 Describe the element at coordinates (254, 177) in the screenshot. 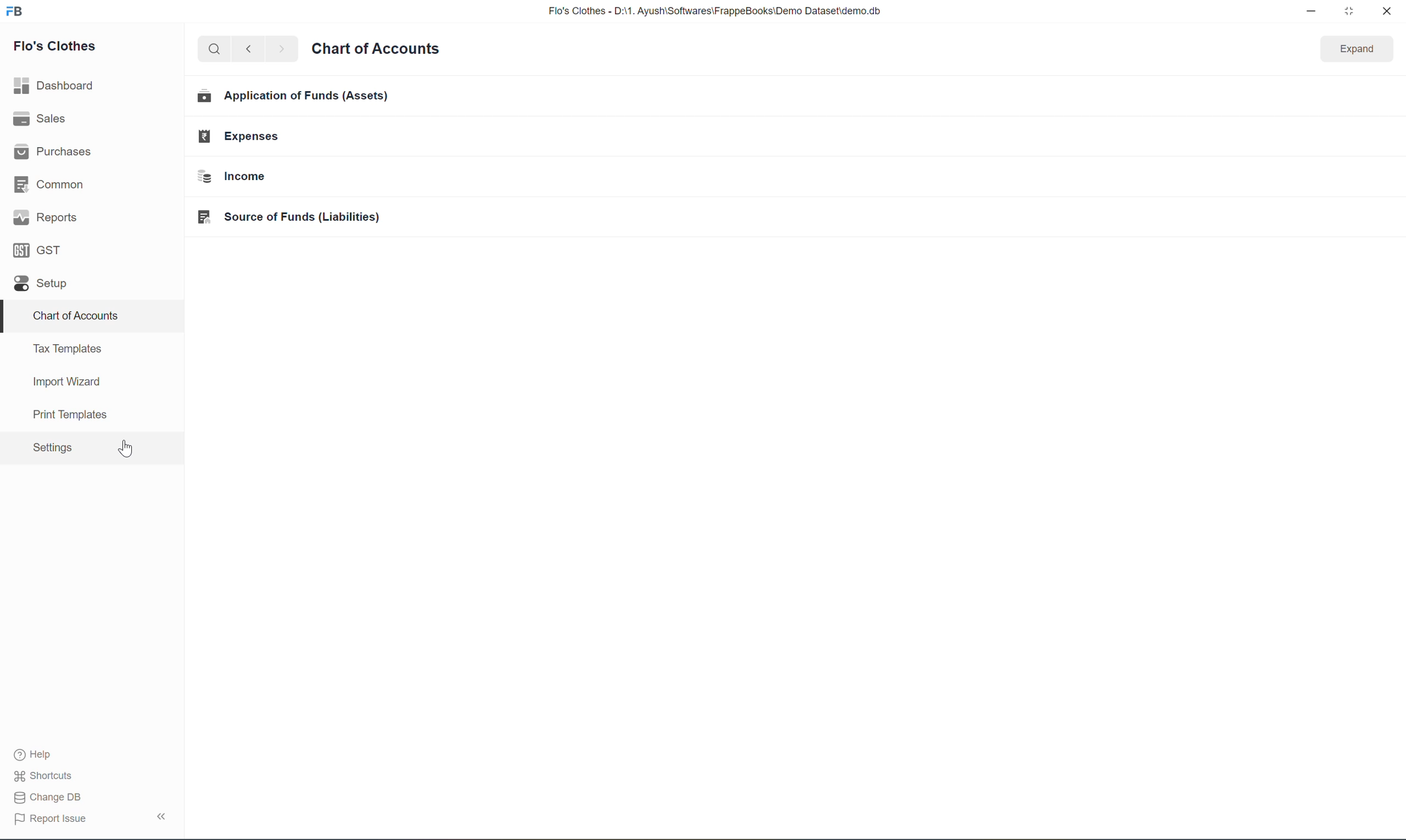

I see `Income` at that location.